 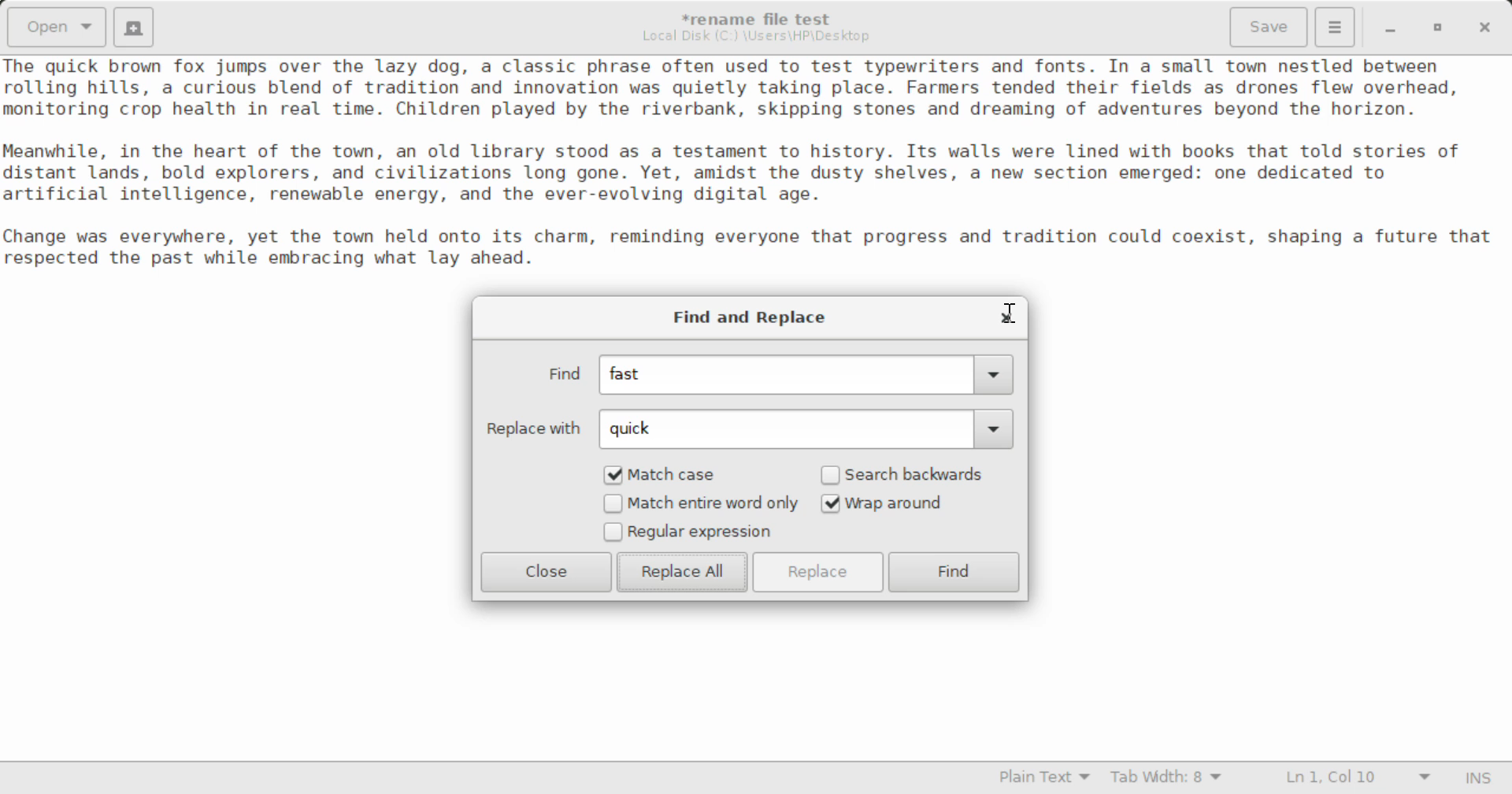 I want to click on Restore Down, so click(x=1393, y=27).